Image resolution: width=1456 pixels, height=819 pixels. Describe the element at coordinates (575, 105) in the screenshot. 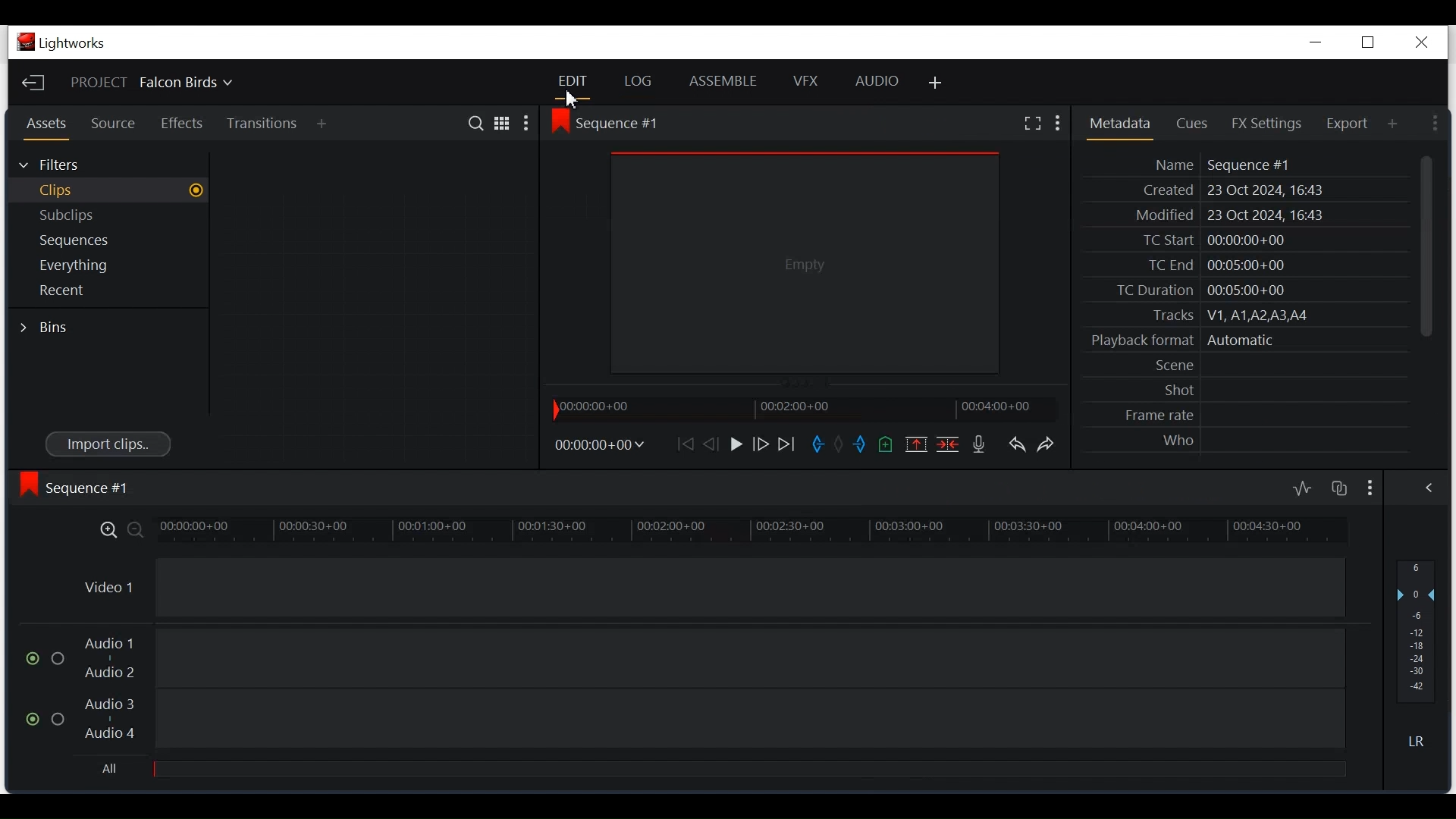

I see `Cursor` at that location.